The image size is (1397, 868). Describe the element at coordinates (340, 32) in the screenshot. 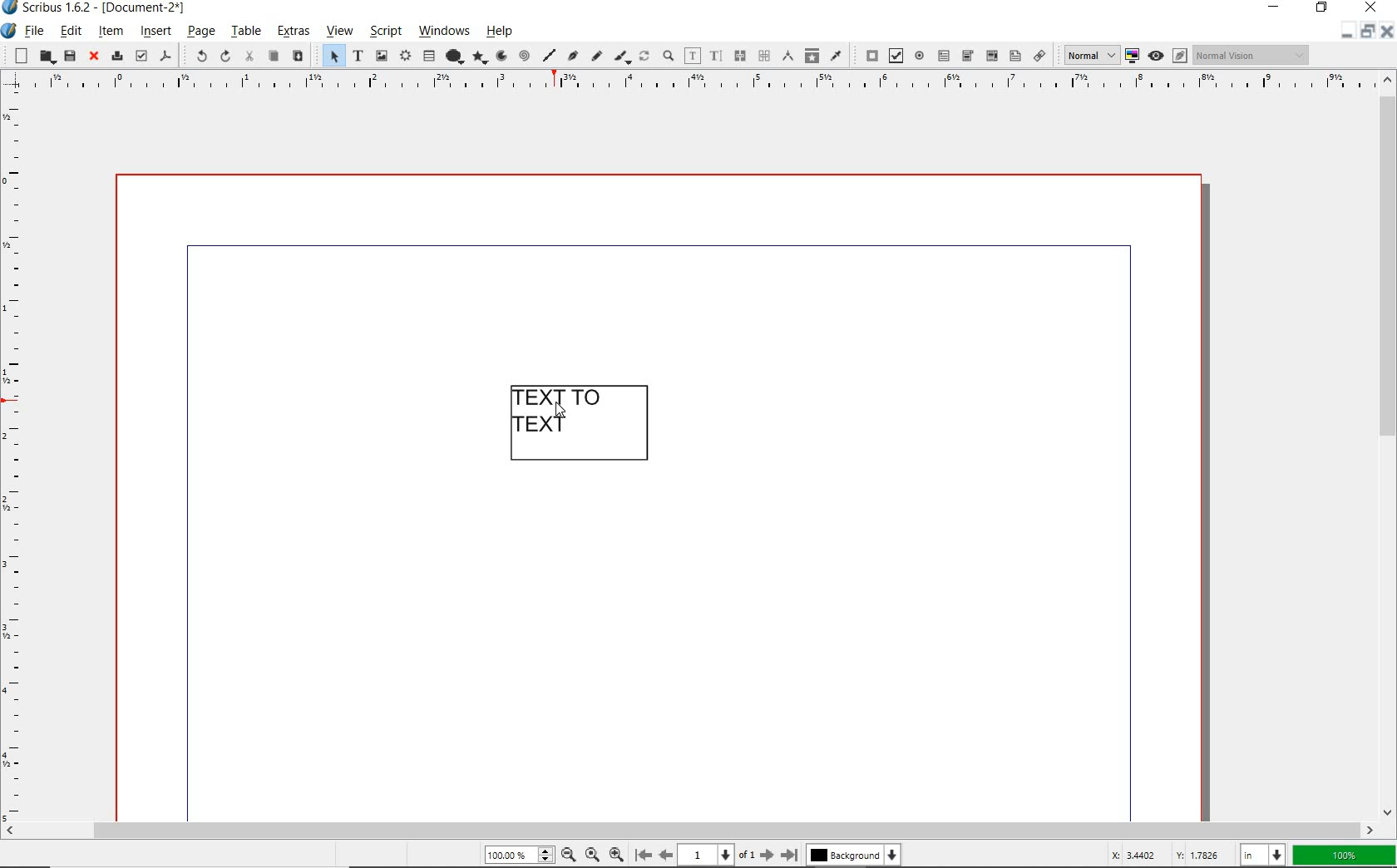

I see `view` at that location.